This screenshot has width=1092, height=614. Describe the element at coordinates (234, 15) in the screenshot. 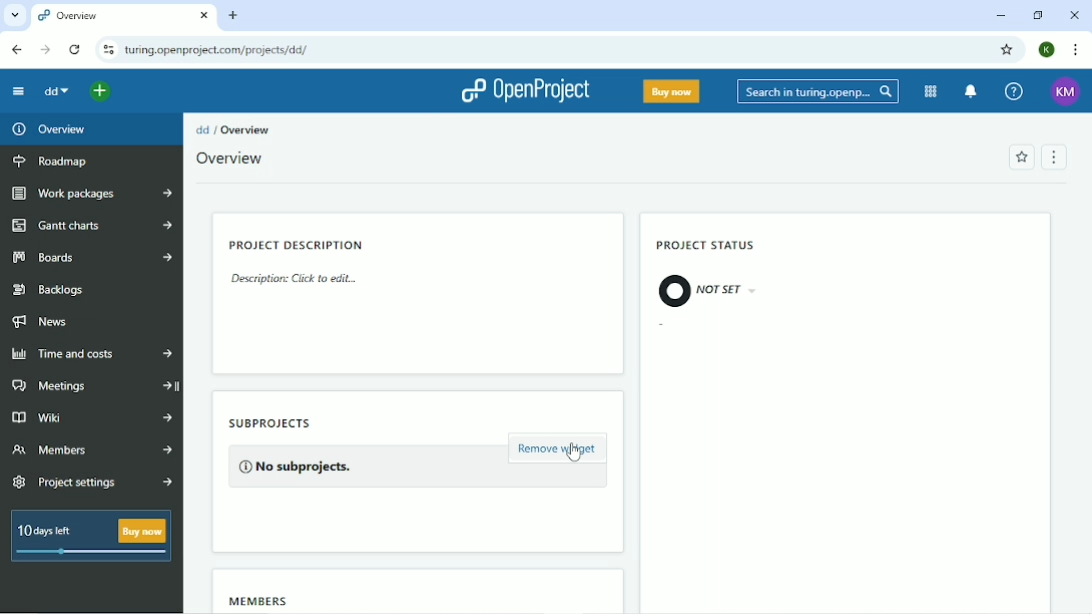

I see `New tab` at that location.